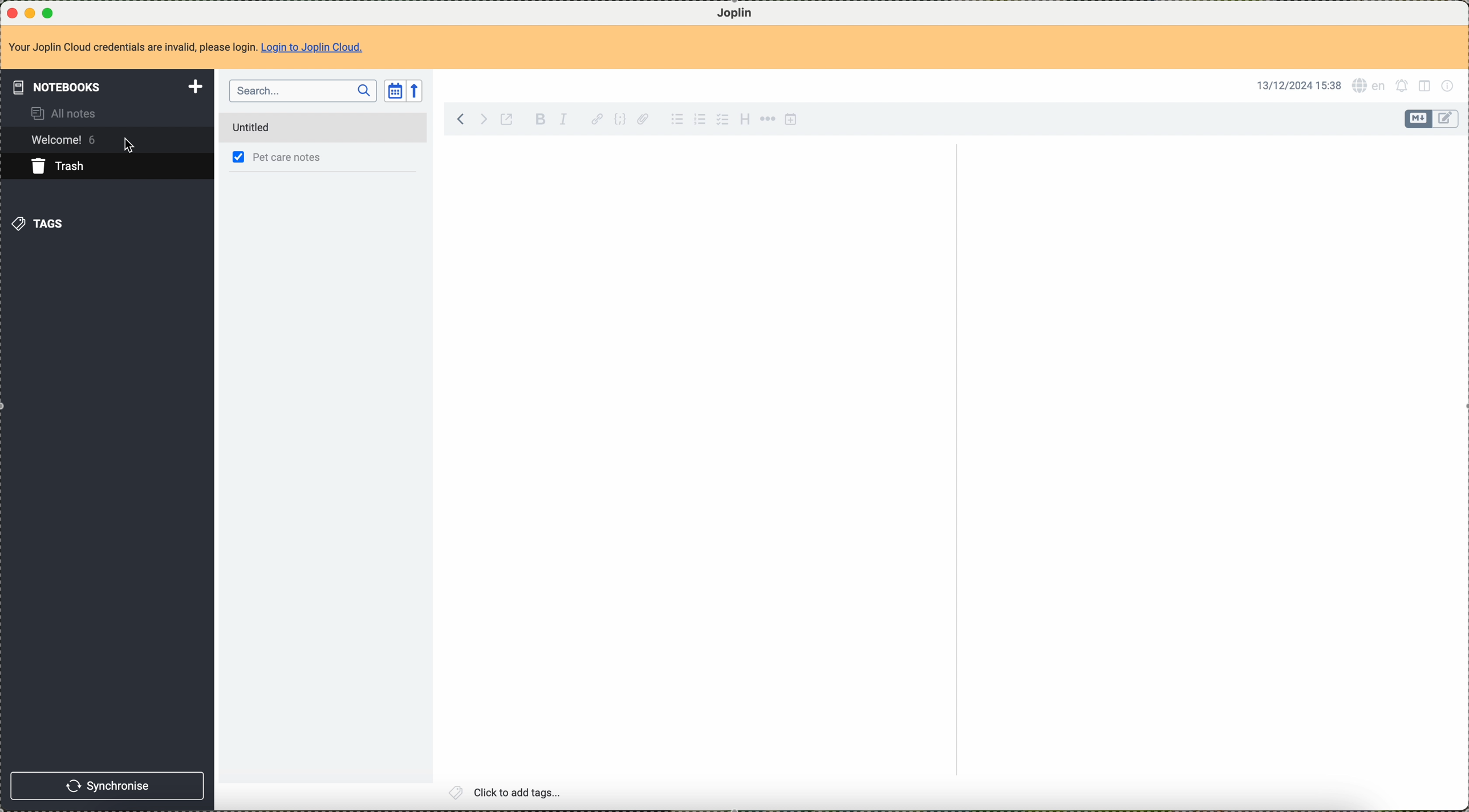  I want to click on cursor, so click(130, 145).